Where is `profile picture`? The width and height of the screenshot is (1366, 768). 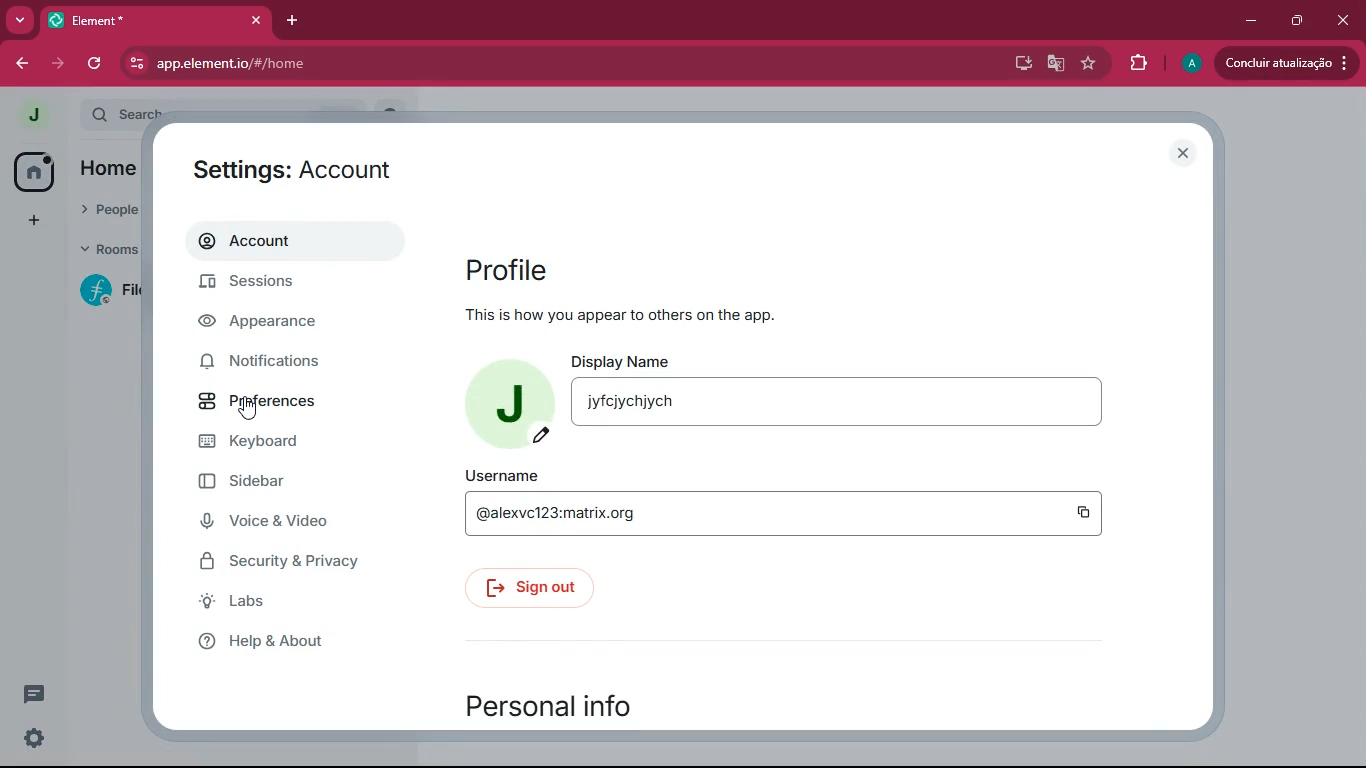 profile picture is located at coordinates (513, 405).